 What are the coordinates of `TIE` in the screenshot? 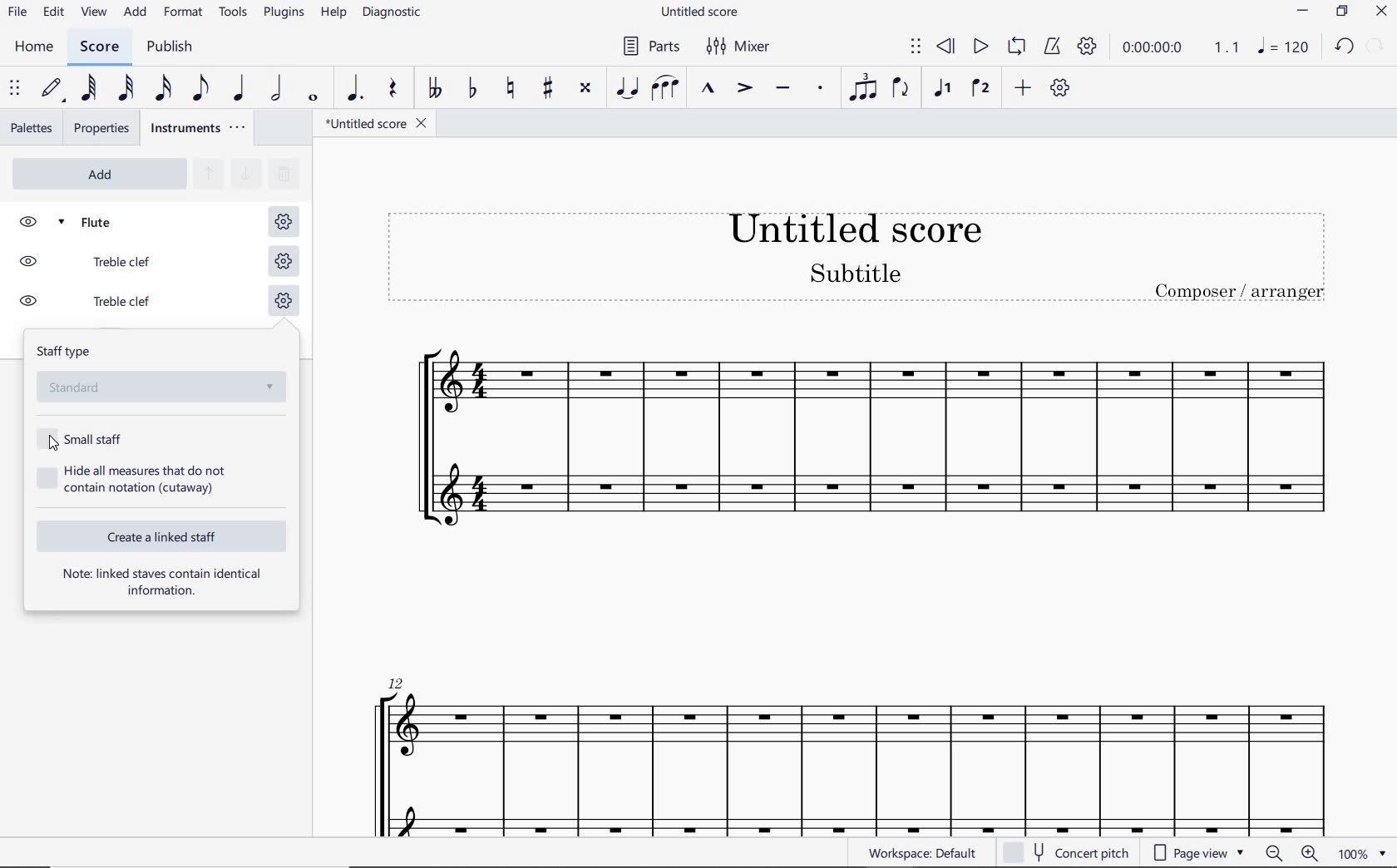 It's located at (628, 89).